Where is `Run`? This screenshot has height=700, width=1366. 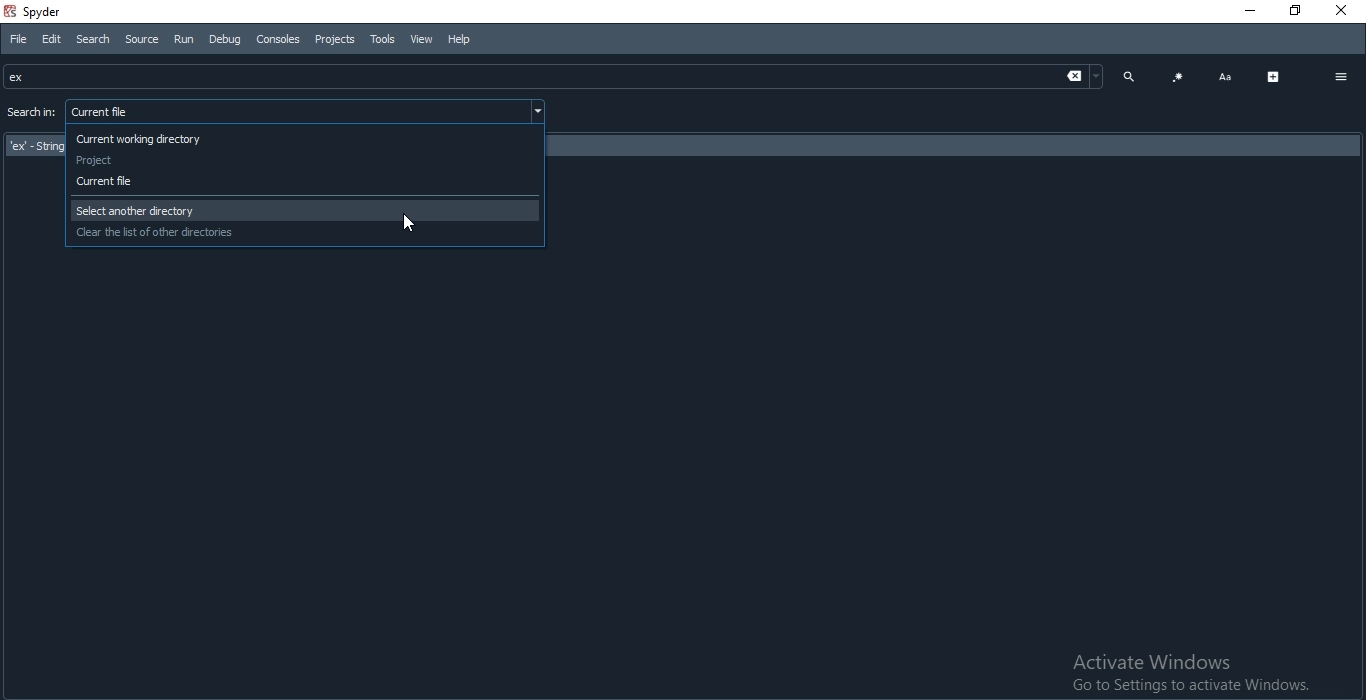 Run is located at coordinates (181, 40).